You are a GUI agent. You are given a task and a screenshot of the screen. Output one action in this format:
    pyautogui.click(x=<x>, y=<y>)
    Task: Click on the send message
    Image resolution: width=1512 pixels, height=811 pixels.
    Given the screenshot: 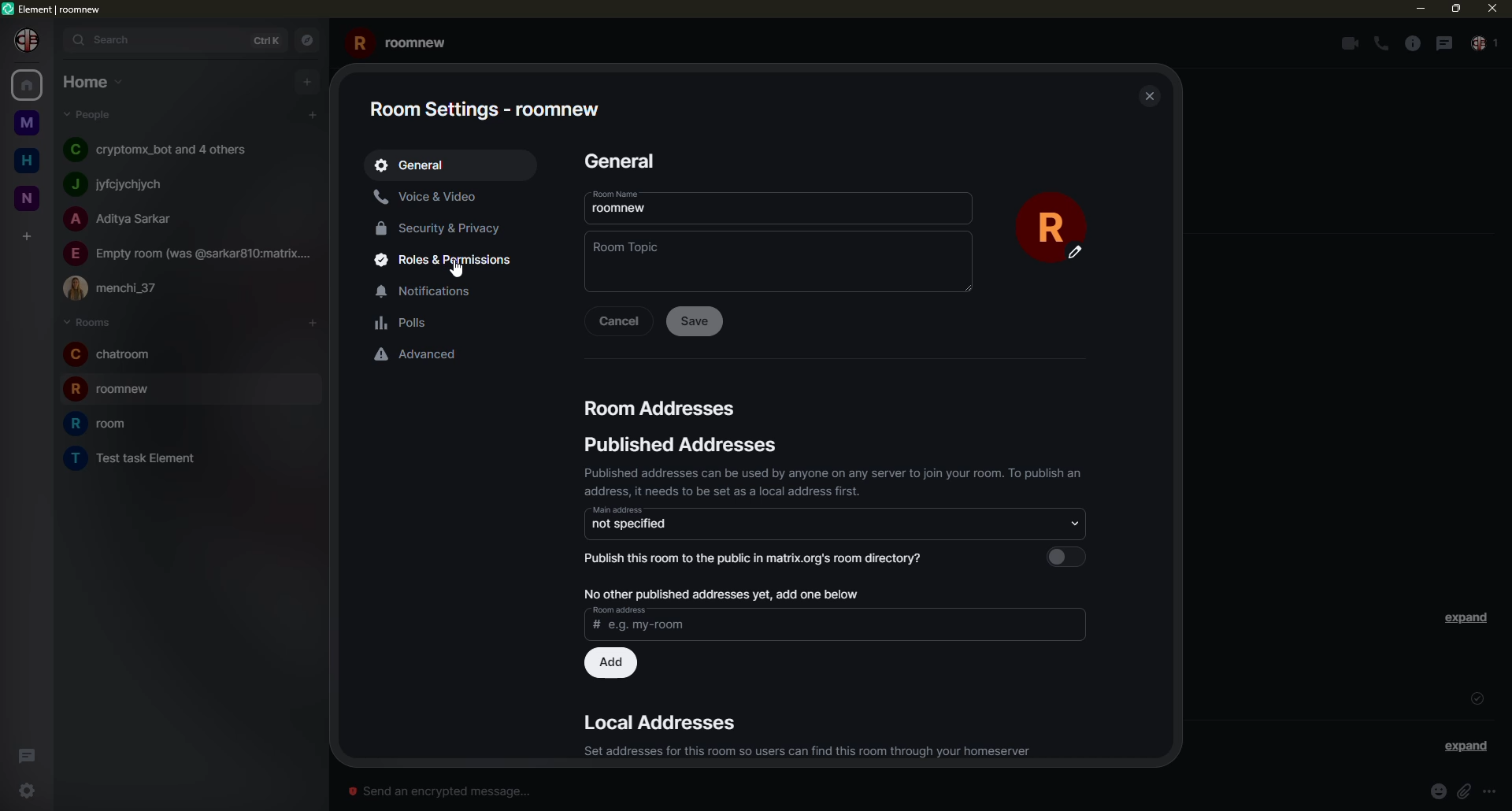 What is the action you would take?
    pyautogui.click(x=443, y=791)
    